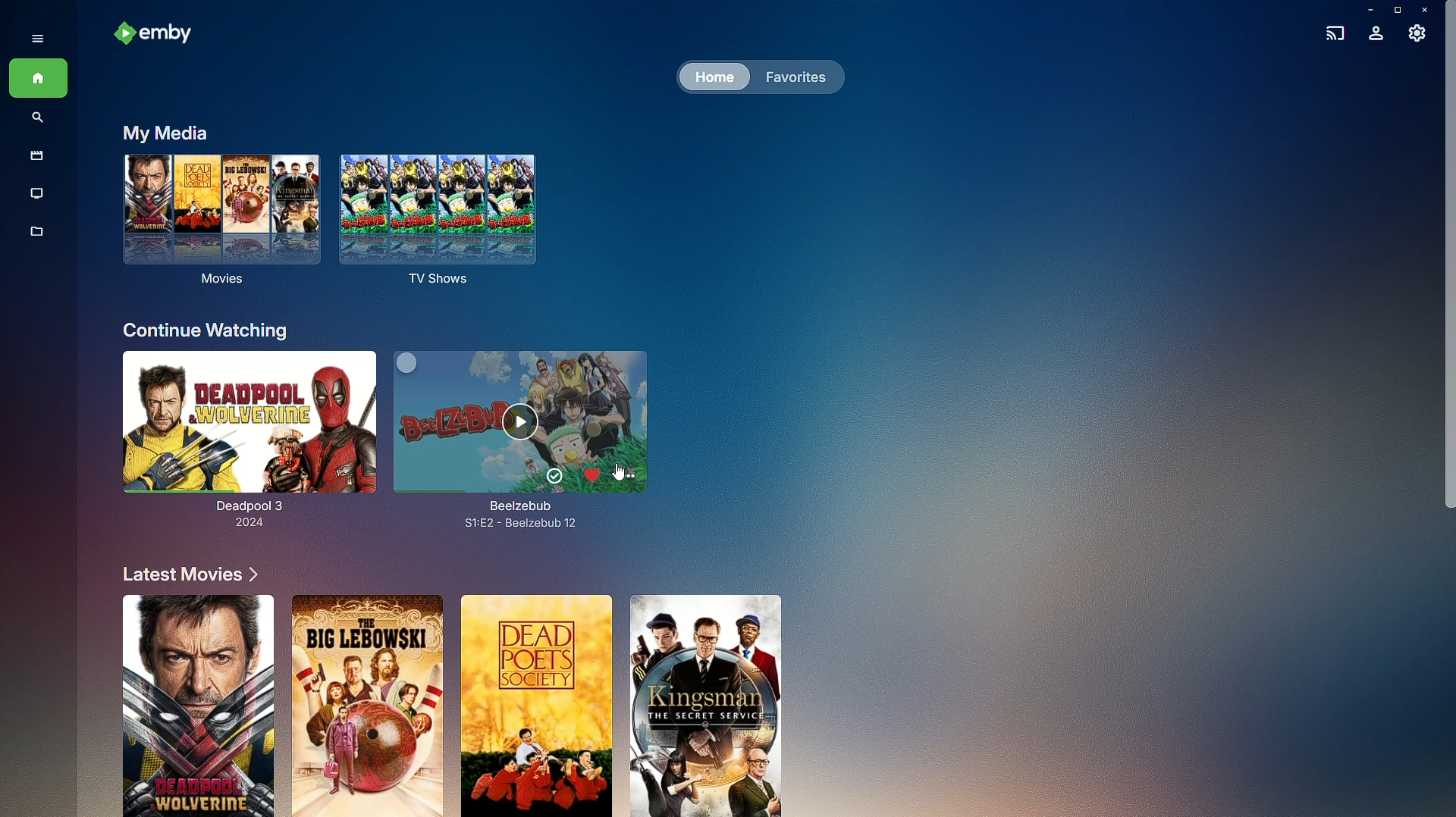 Image resolution: width=1456 pixels, height=817 pixels. I want to click on TV Shows, so click(38, 194).